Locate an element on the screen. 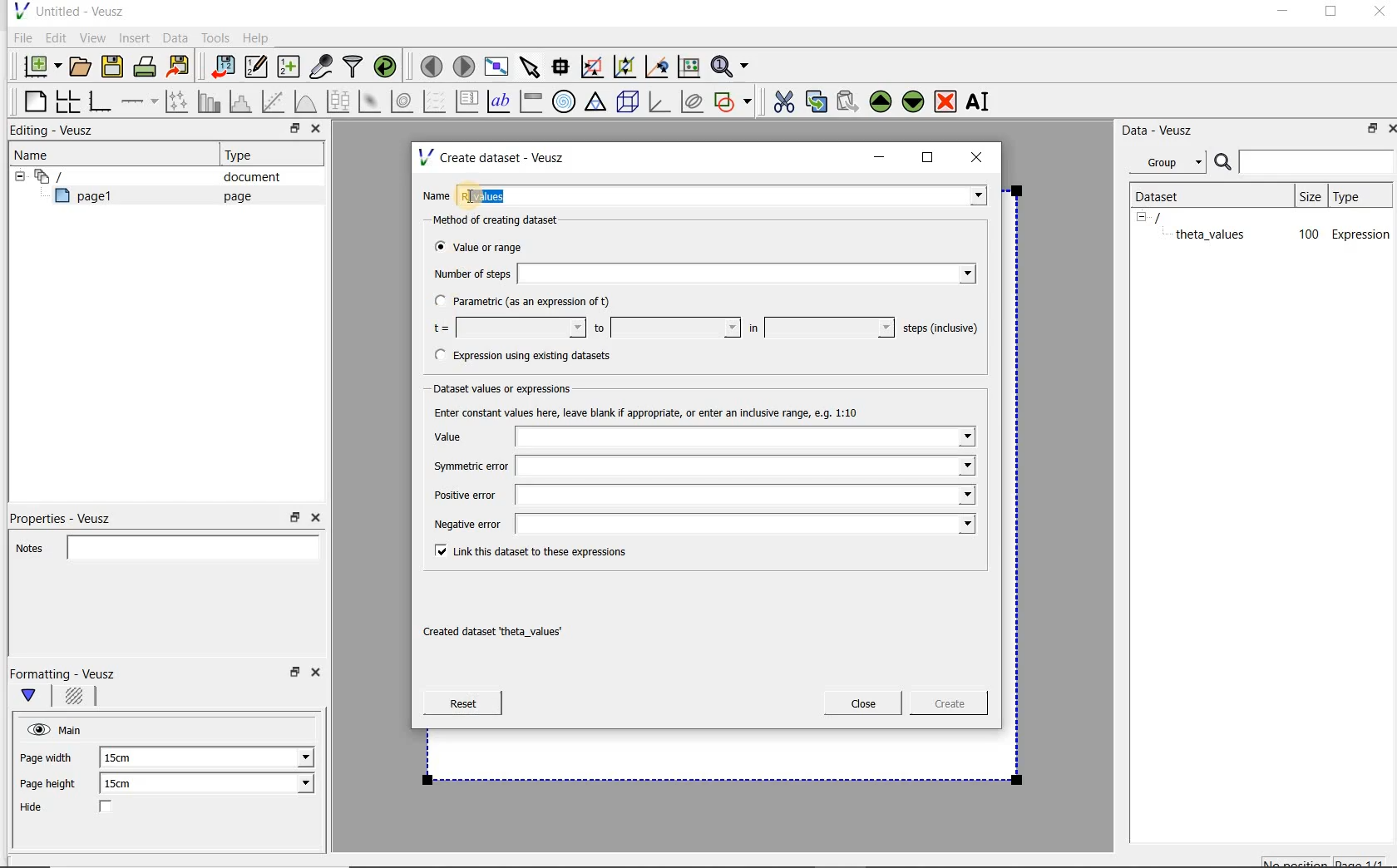 The image size is (1397, 868). Positive error is located at coordinates (698, 499).